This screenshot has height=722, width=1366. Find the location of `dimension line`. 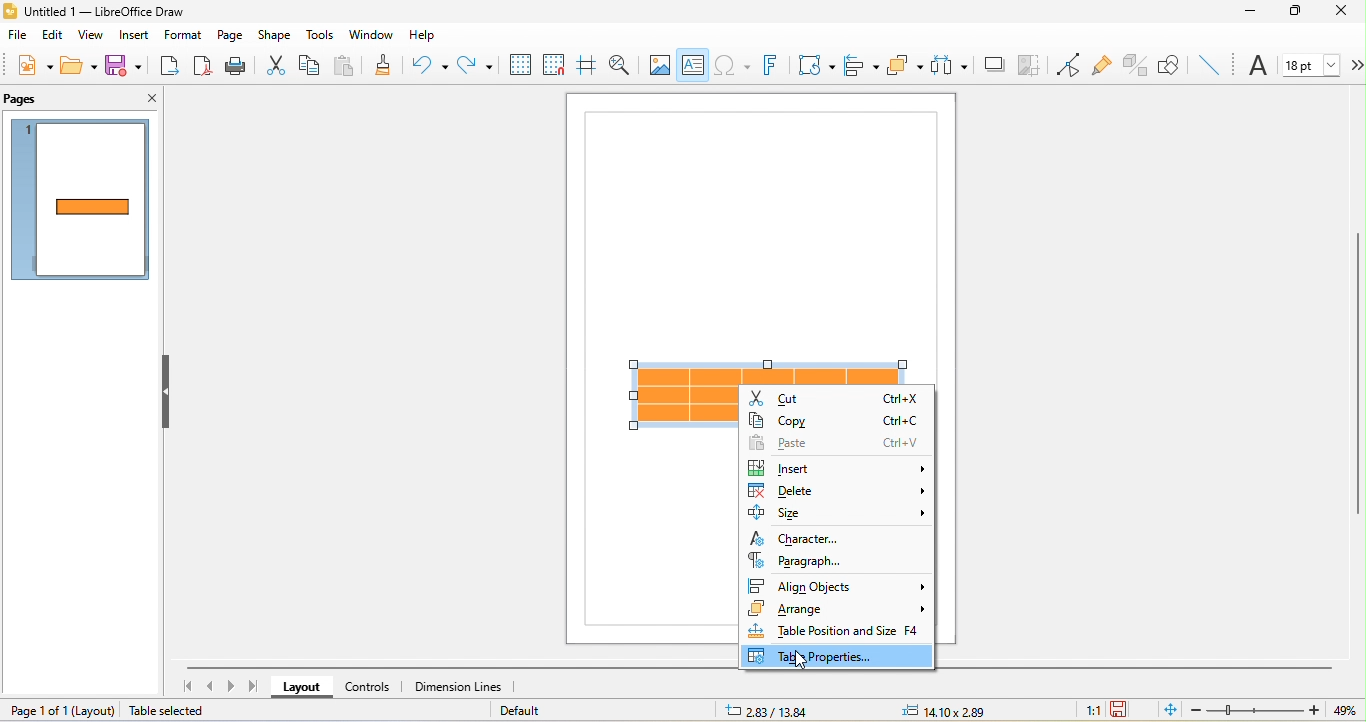

dimension line is located at coordinates (457, 685).